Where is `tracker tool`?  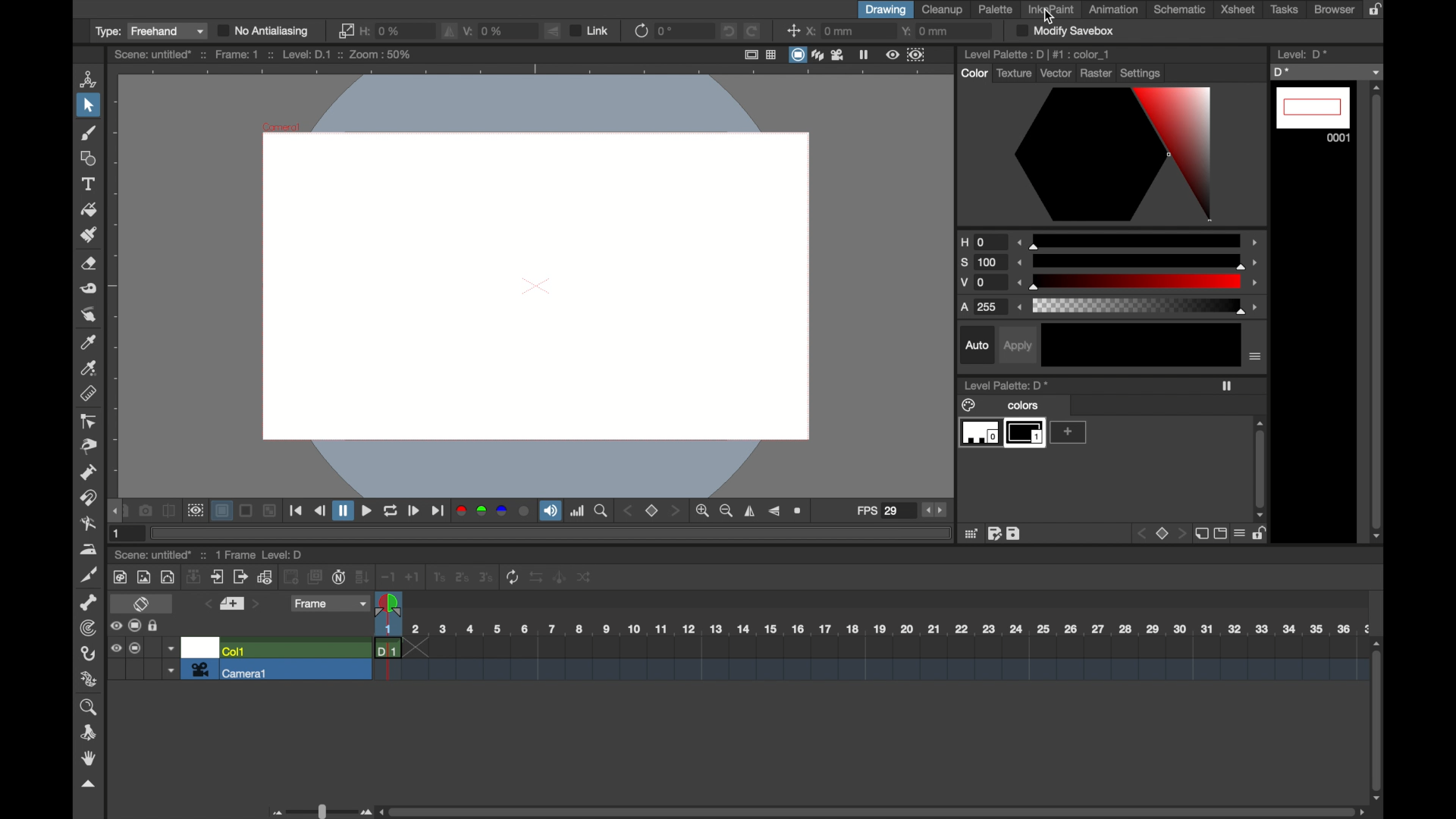
tracker tool is located at coordinates (87, 629).